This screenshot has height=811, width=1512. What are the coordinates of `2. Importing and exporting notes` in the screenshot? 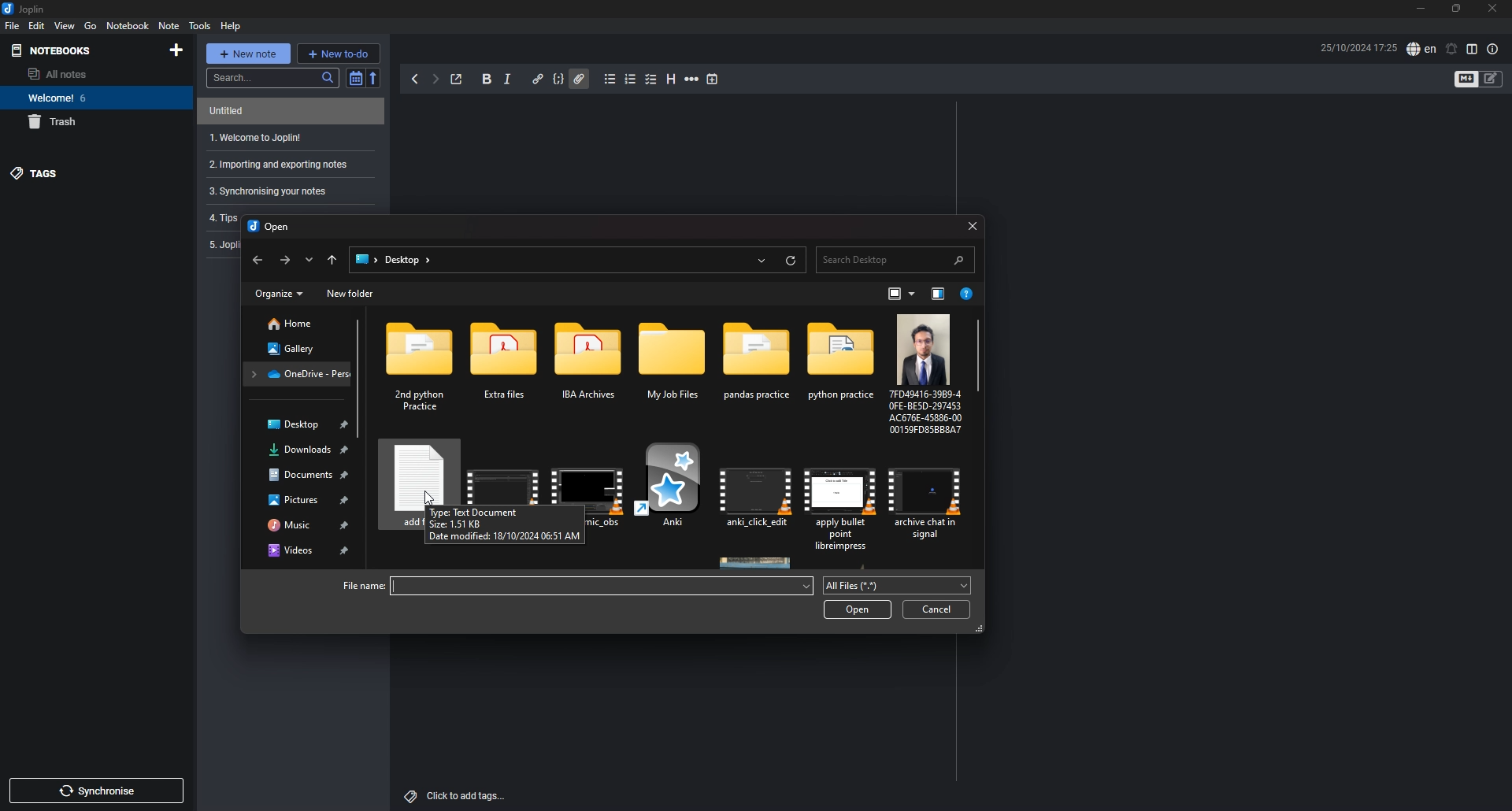 It's located at (287, 164).